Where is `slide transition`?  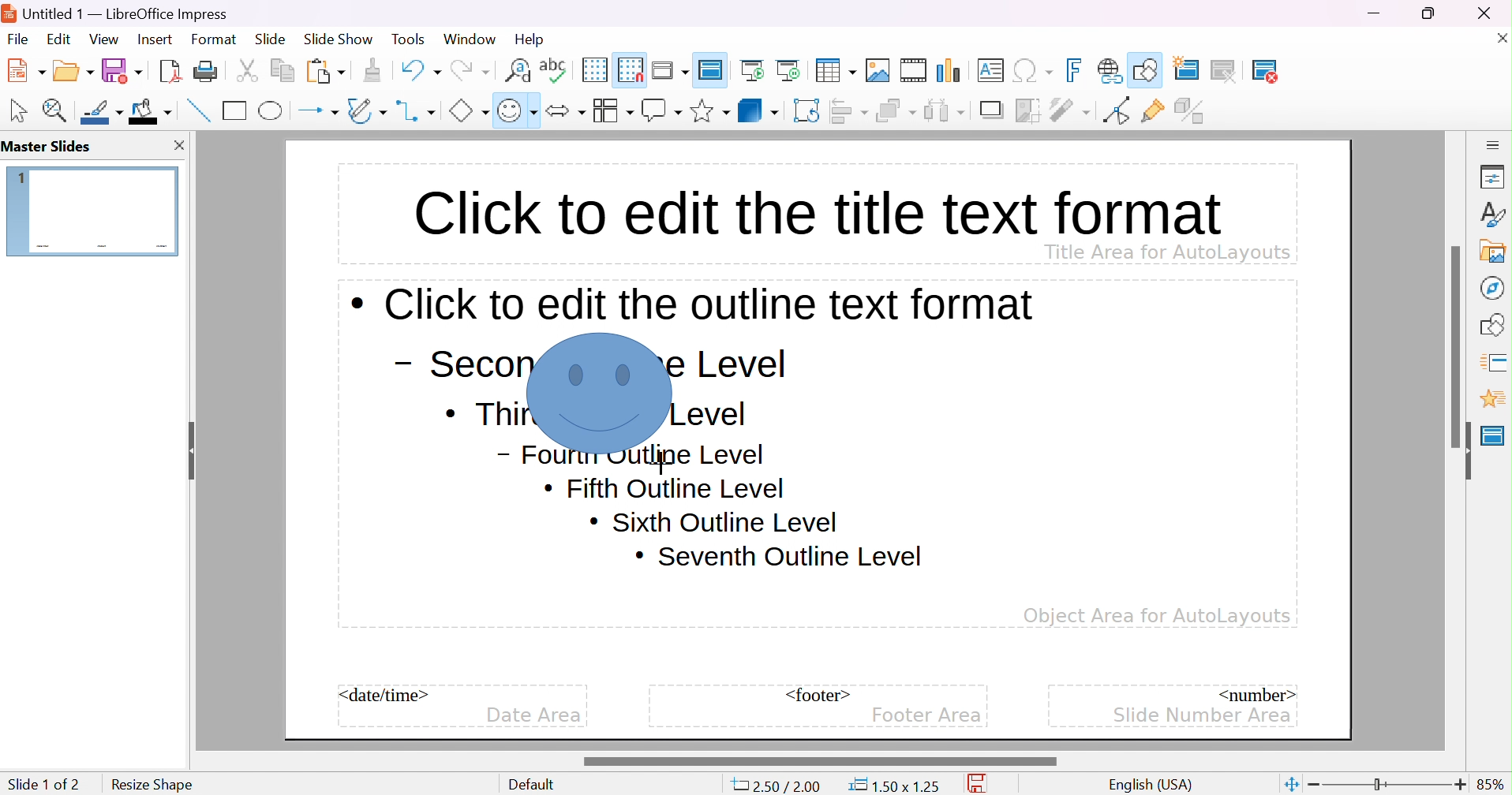 slide transition is located at coordinates (1496, 360).